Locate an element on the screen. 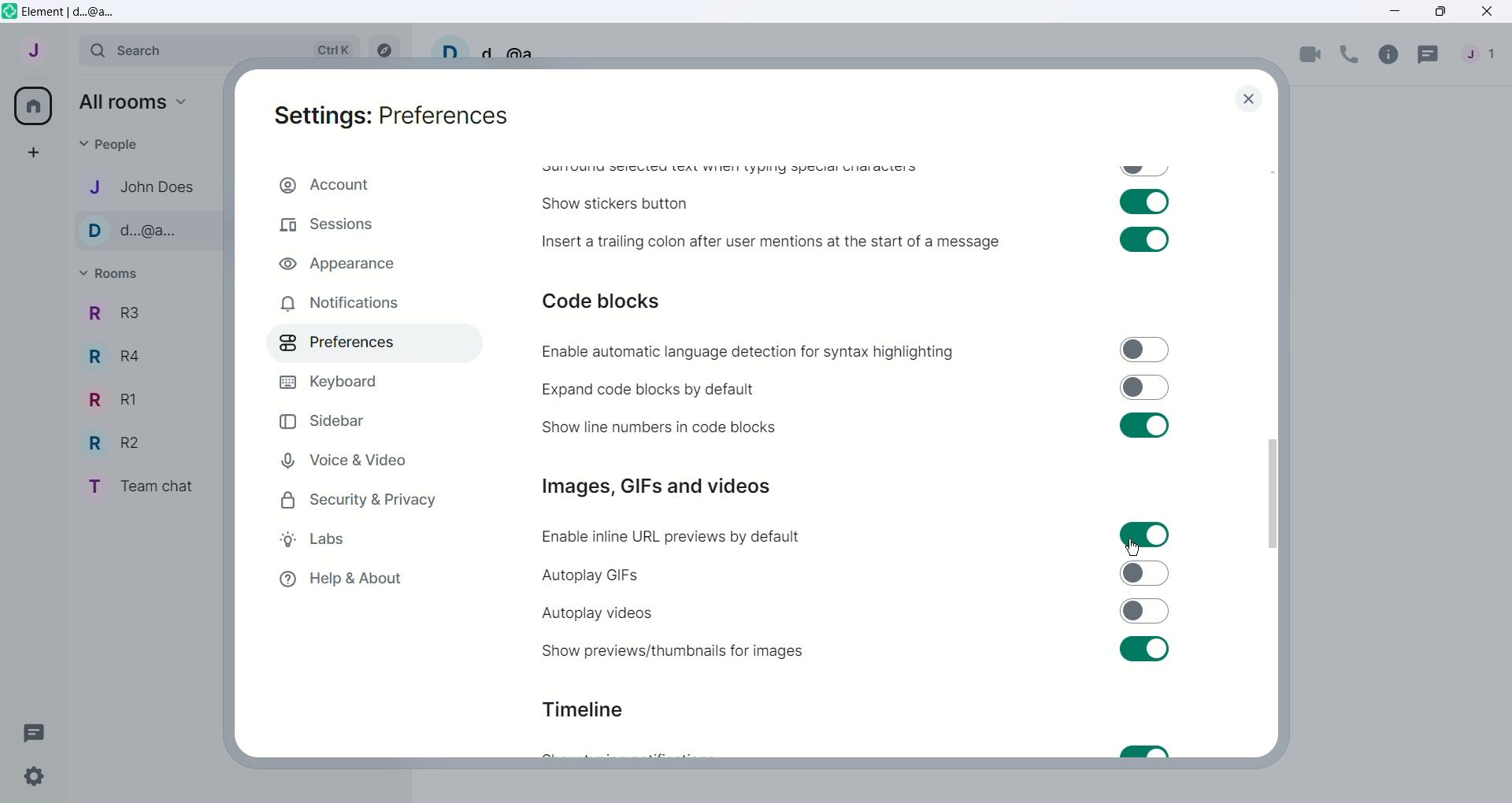  User menu is located at coordinates (35, 48).